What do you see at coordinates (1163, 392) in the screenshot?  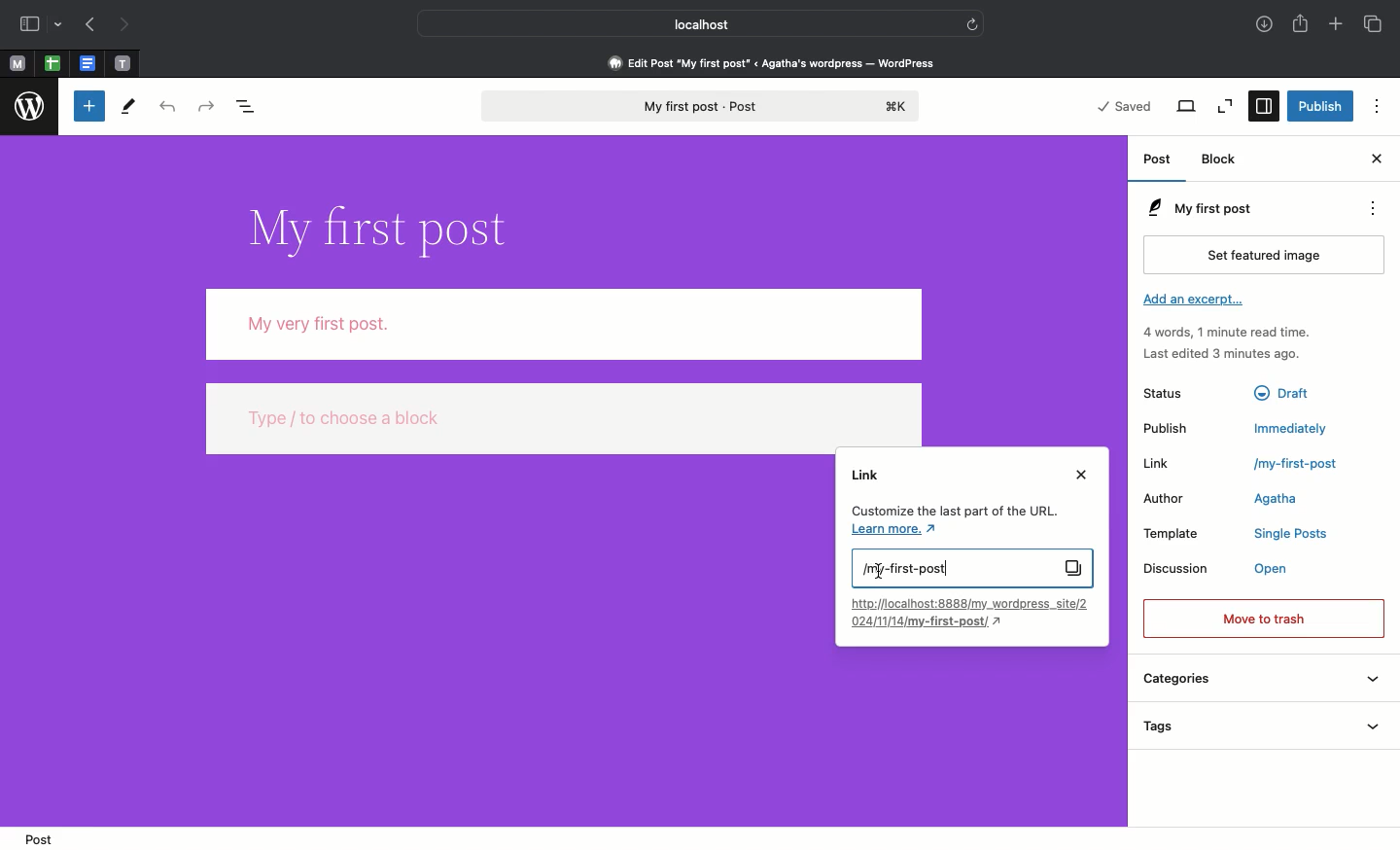 I see `Status` at bounding box center [1163, 392].